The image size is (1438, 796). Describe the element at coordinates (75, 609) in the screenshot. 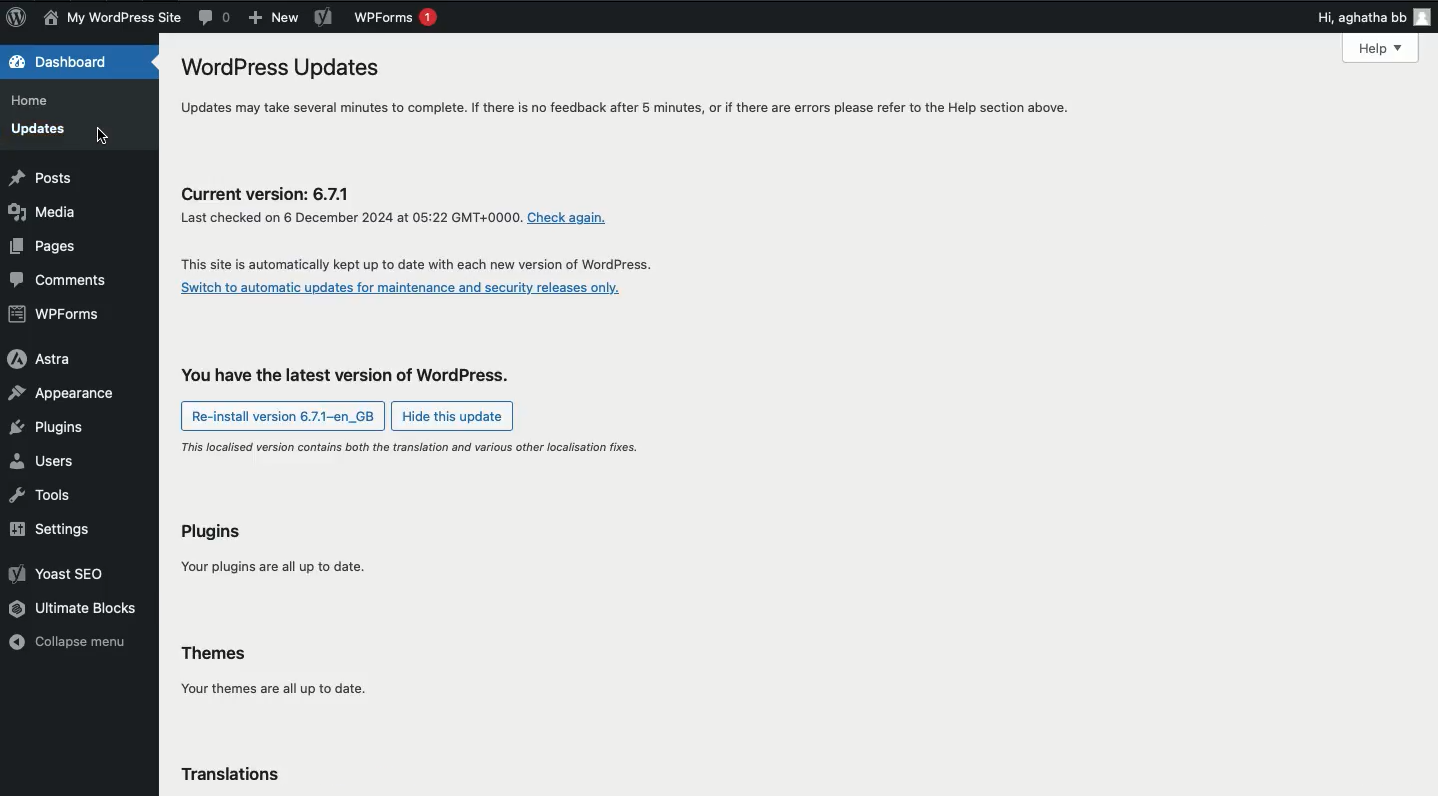

I see `Ultimate blocks` at that location.